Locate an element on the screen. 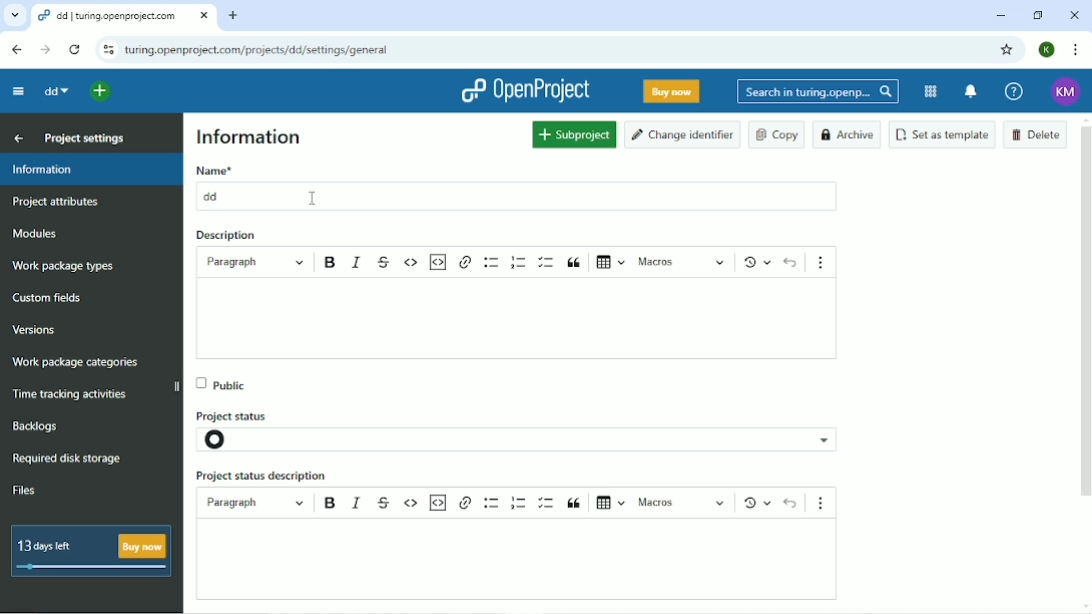 This screenshot has height=614, width=1092. block quote is located at coordinates (577, 502).